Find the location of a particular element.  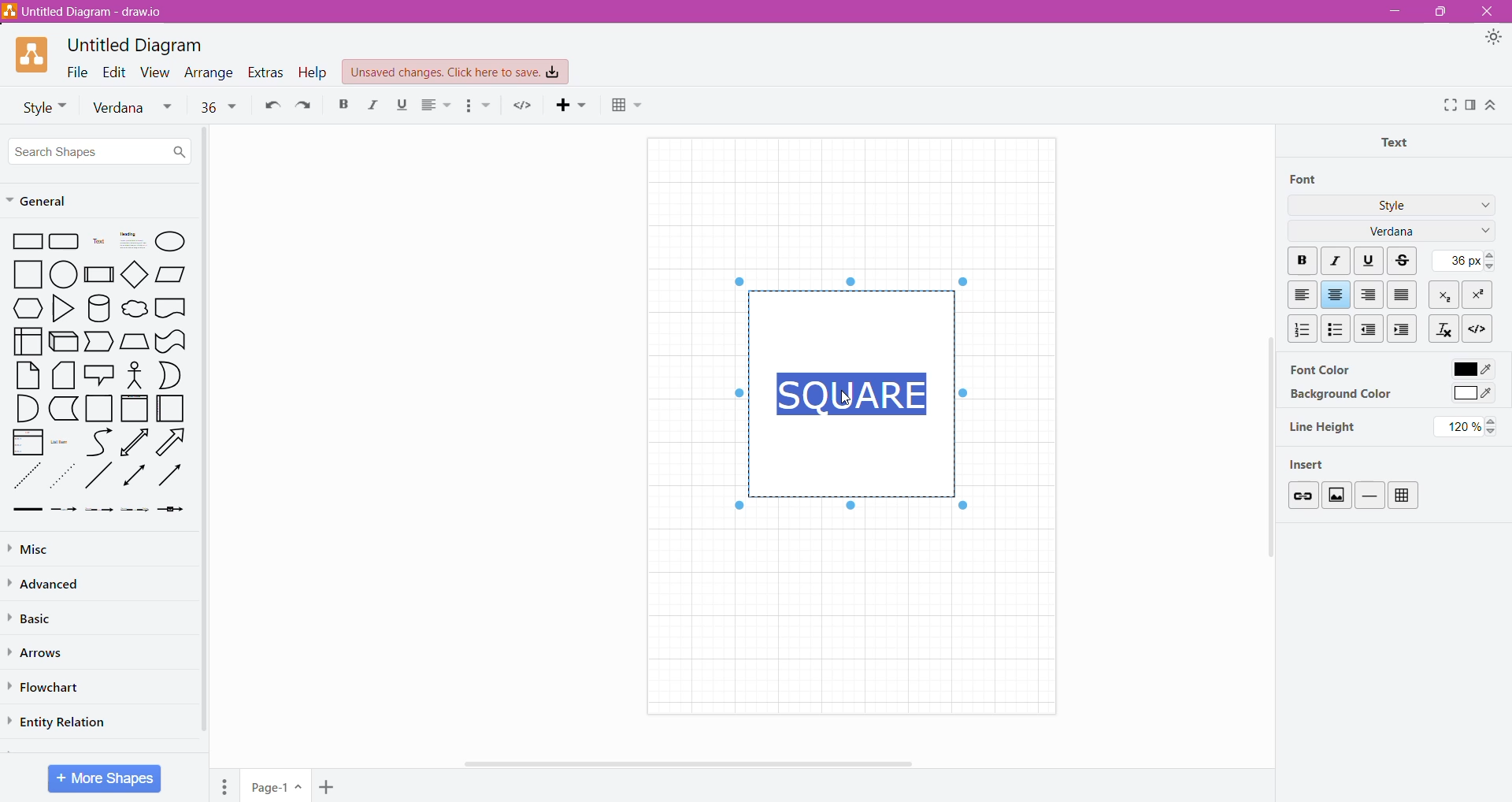

Decrease Indent is located at coordinates (1370, 329).